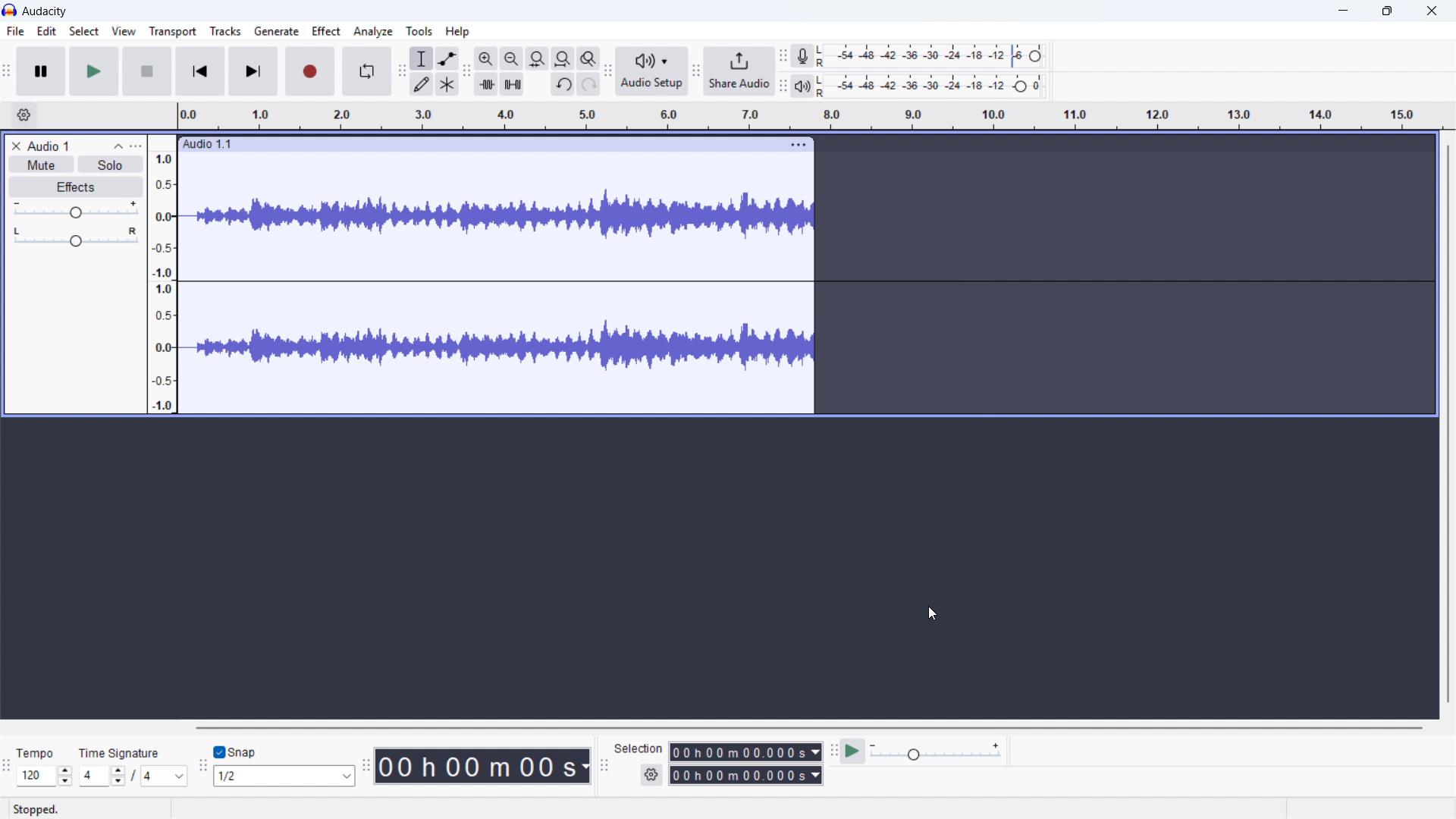 This screenshot has width=1456, height=819. What do you see at coordinates (39, 753) in the screenshot?
I see `tempo` at bounding box center [39, 753].